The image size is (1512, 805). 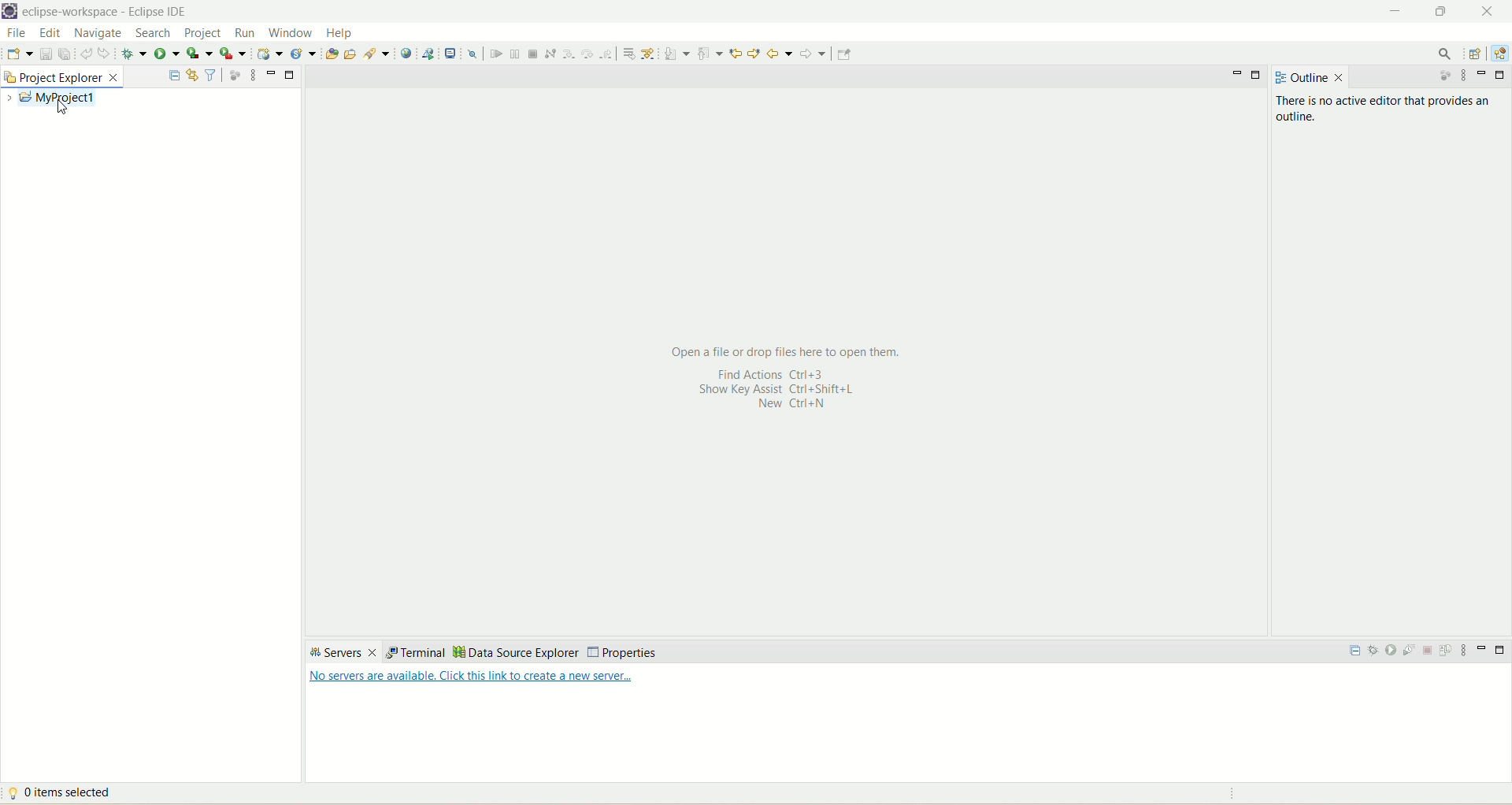 What do you see at coordinates (534, 54) in the screenshot?
I see `terminate` at bounding box center [534, 54].